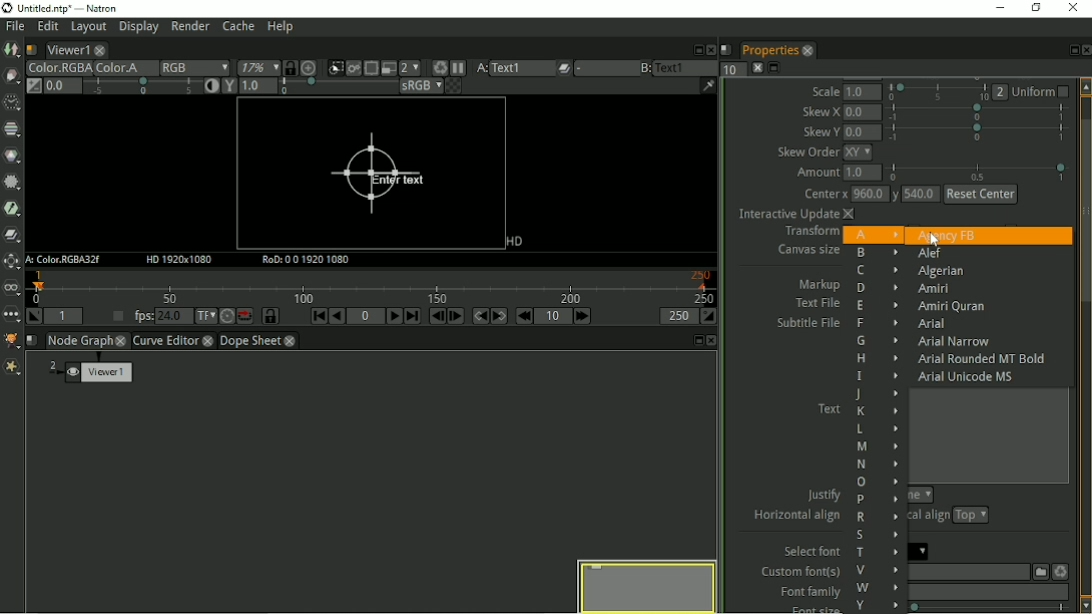 Image resolution: width=1092 pixels, height=614 pixels. What do you see at coordinates (307, 260) in the screenshot?
I see `RoD` at bounding box center [307, 260].